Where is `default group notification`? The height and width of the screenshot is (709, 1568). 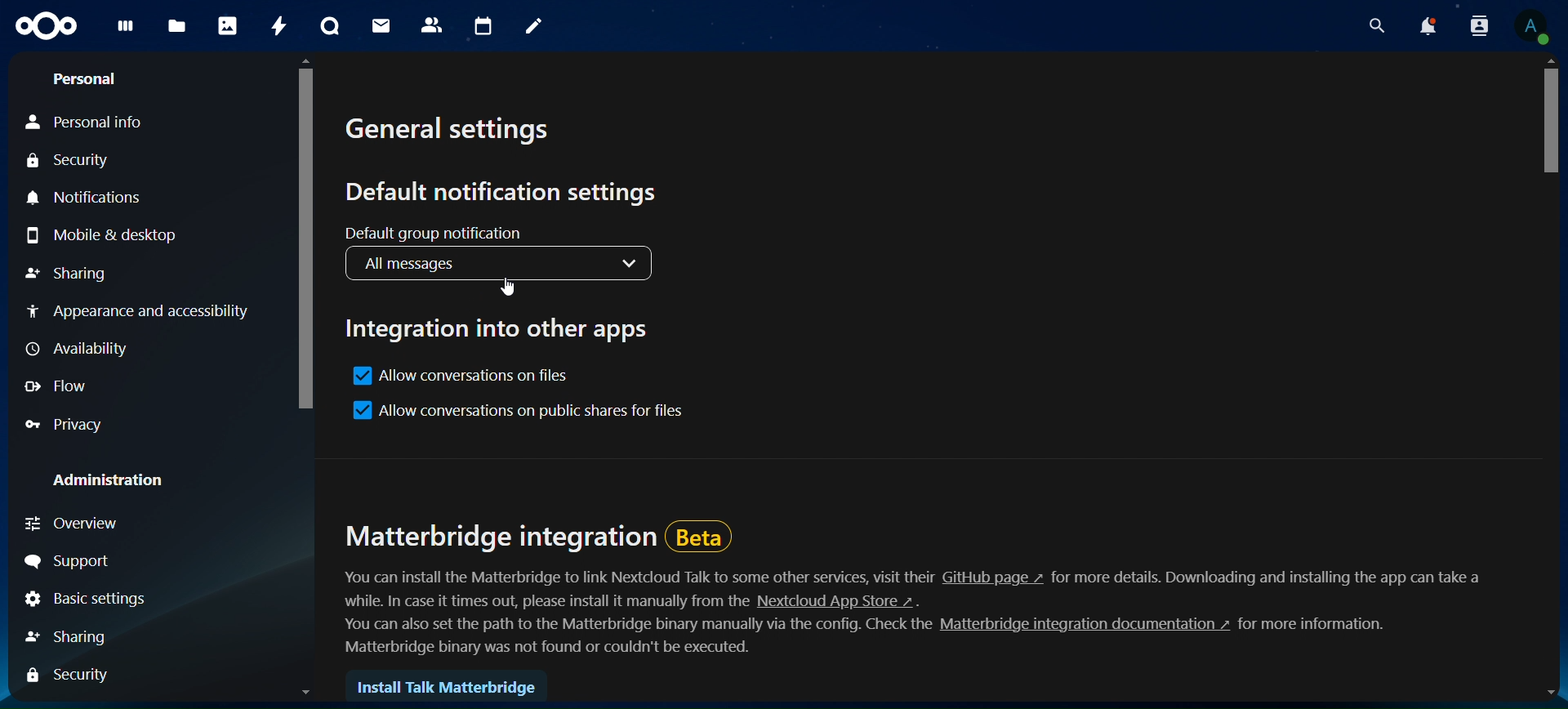
default group notification is located at coordinates (444, 233).